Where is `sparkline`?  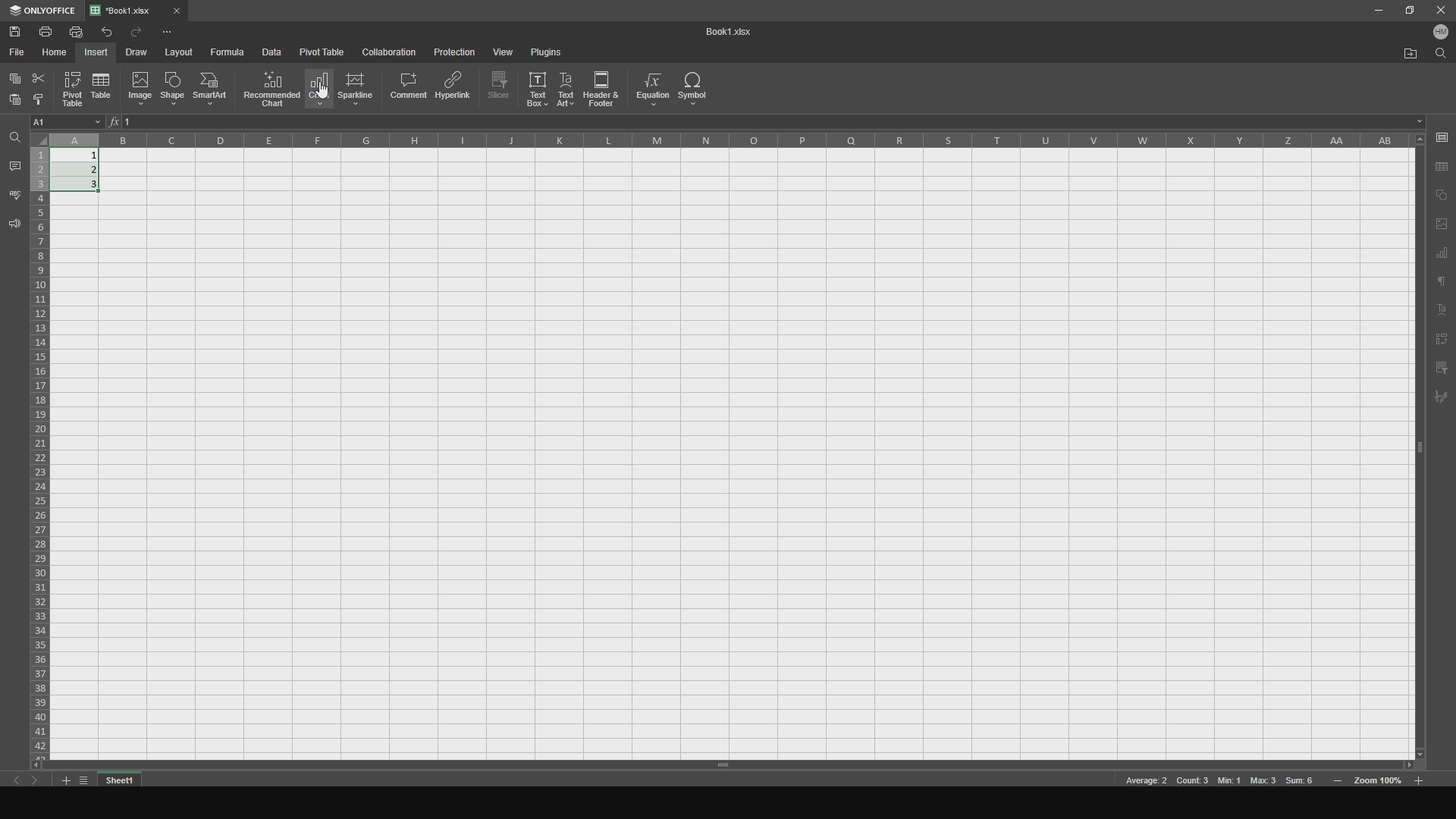 sparkline is located at coordinates (356, 91).